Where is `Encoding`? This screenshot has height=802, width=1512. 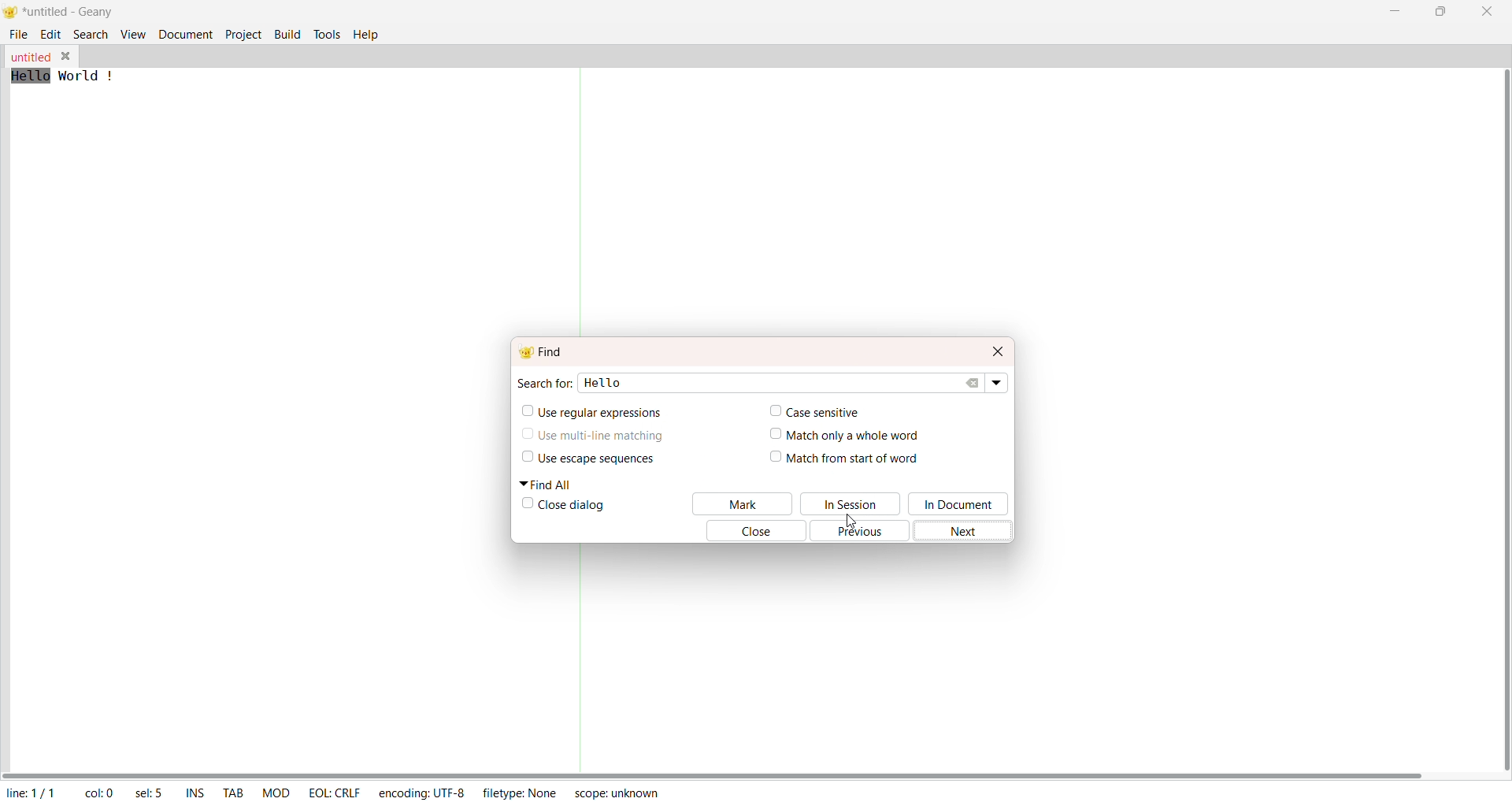
Encoding is located at coordinates (421, 791).